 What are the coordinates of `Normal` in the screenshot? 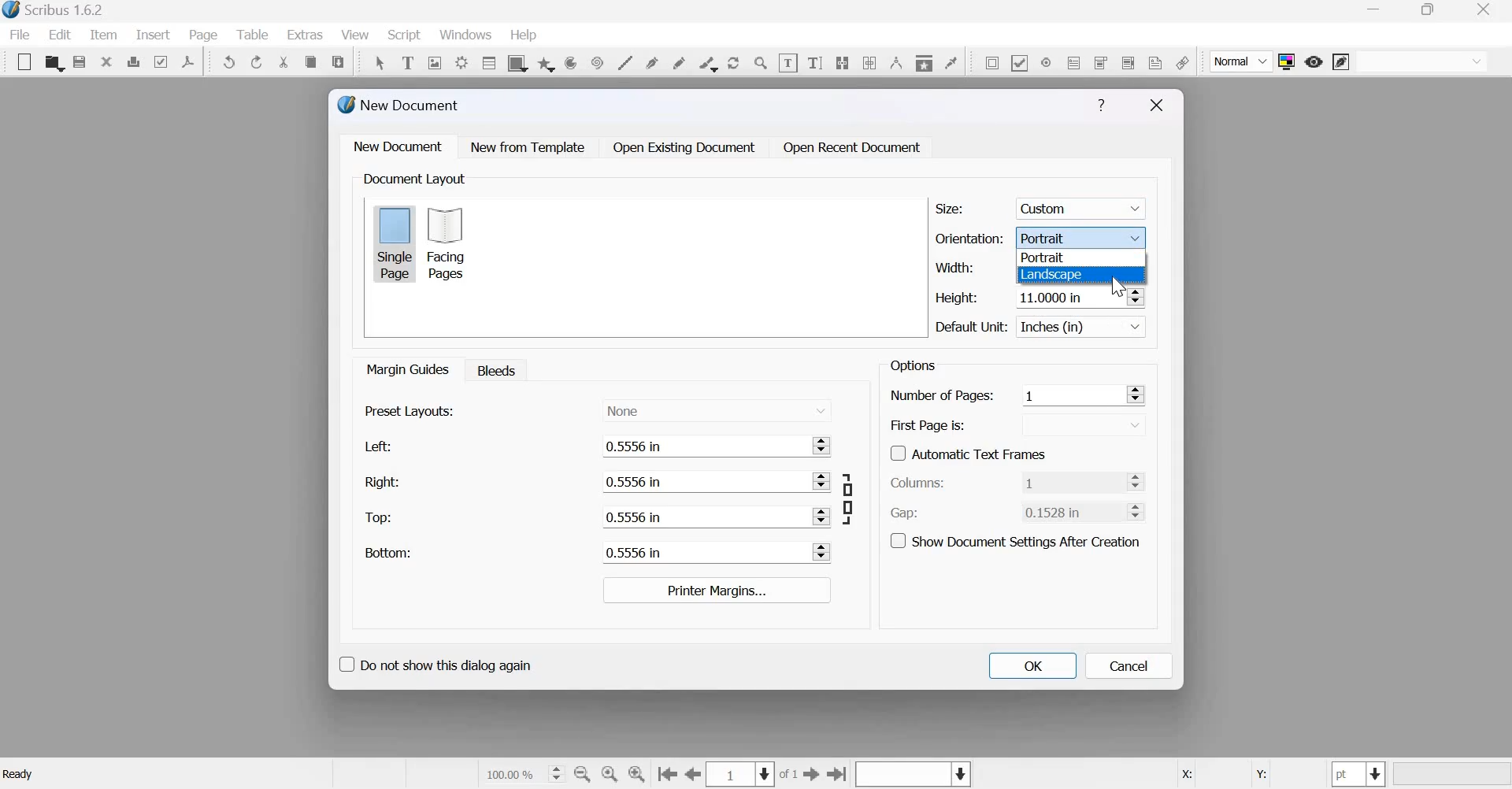 It's located at (1242, 62).